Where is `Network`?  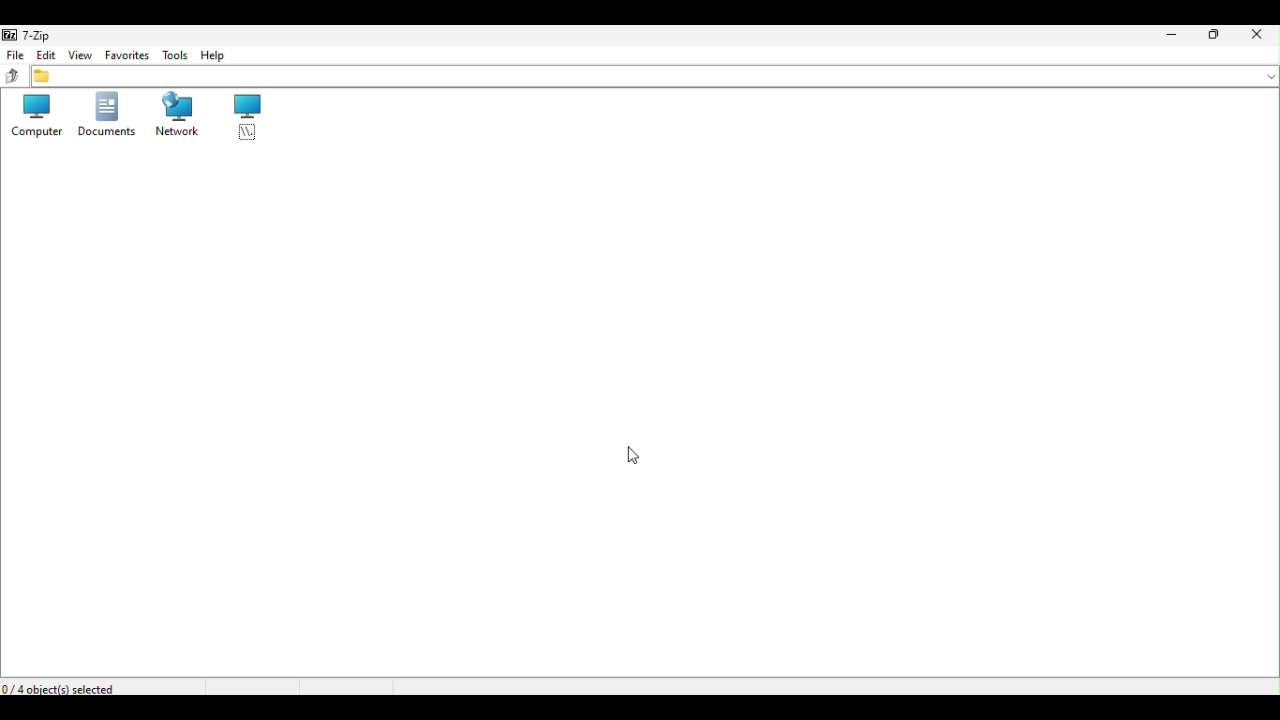 Network is located at coordinates (181, 114).